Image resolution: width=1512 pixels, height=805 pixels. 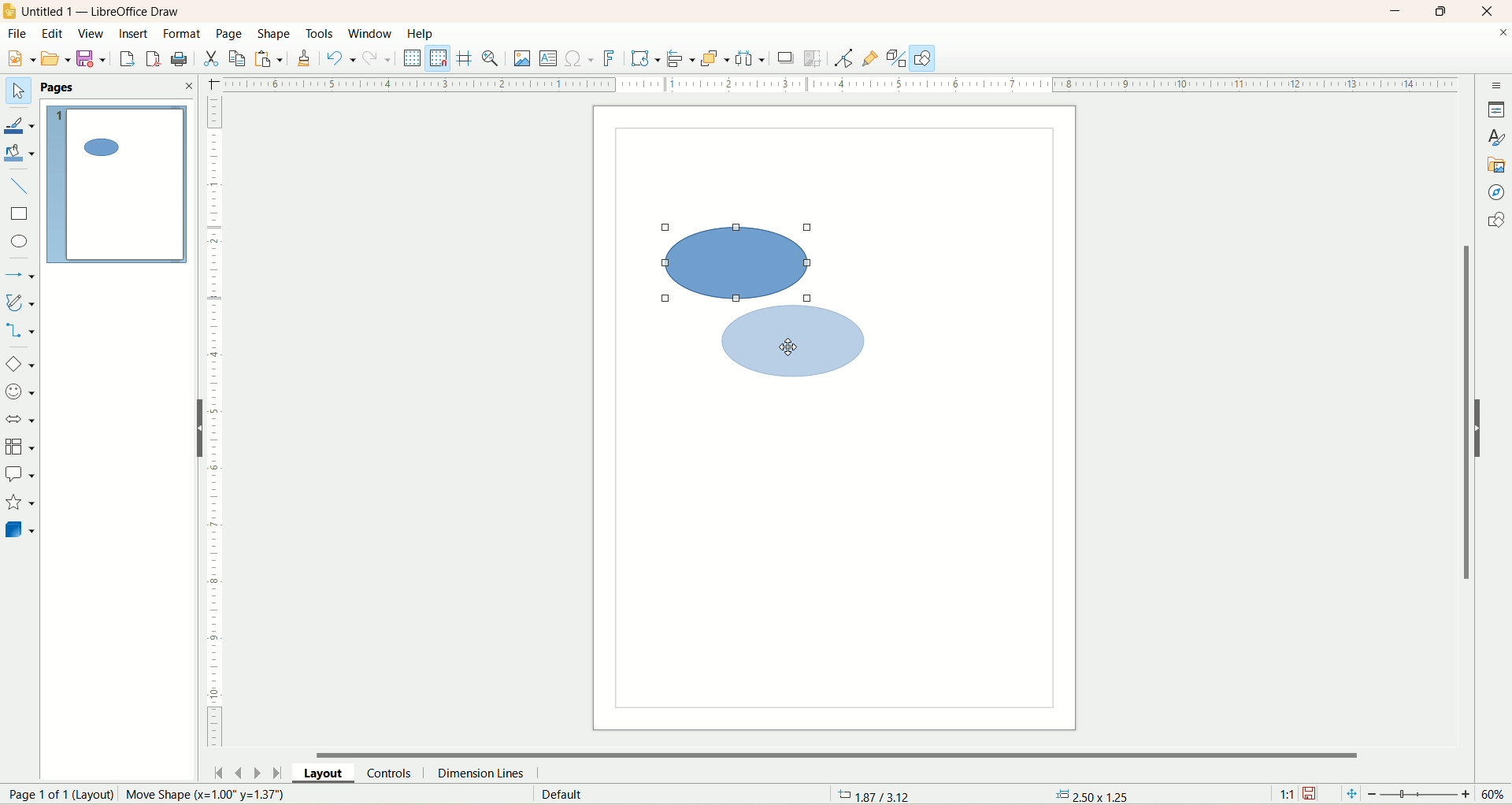 What do you see at coordinates (103, 10) in the screenshot?
I see `title` at bounding box center [103, 10].